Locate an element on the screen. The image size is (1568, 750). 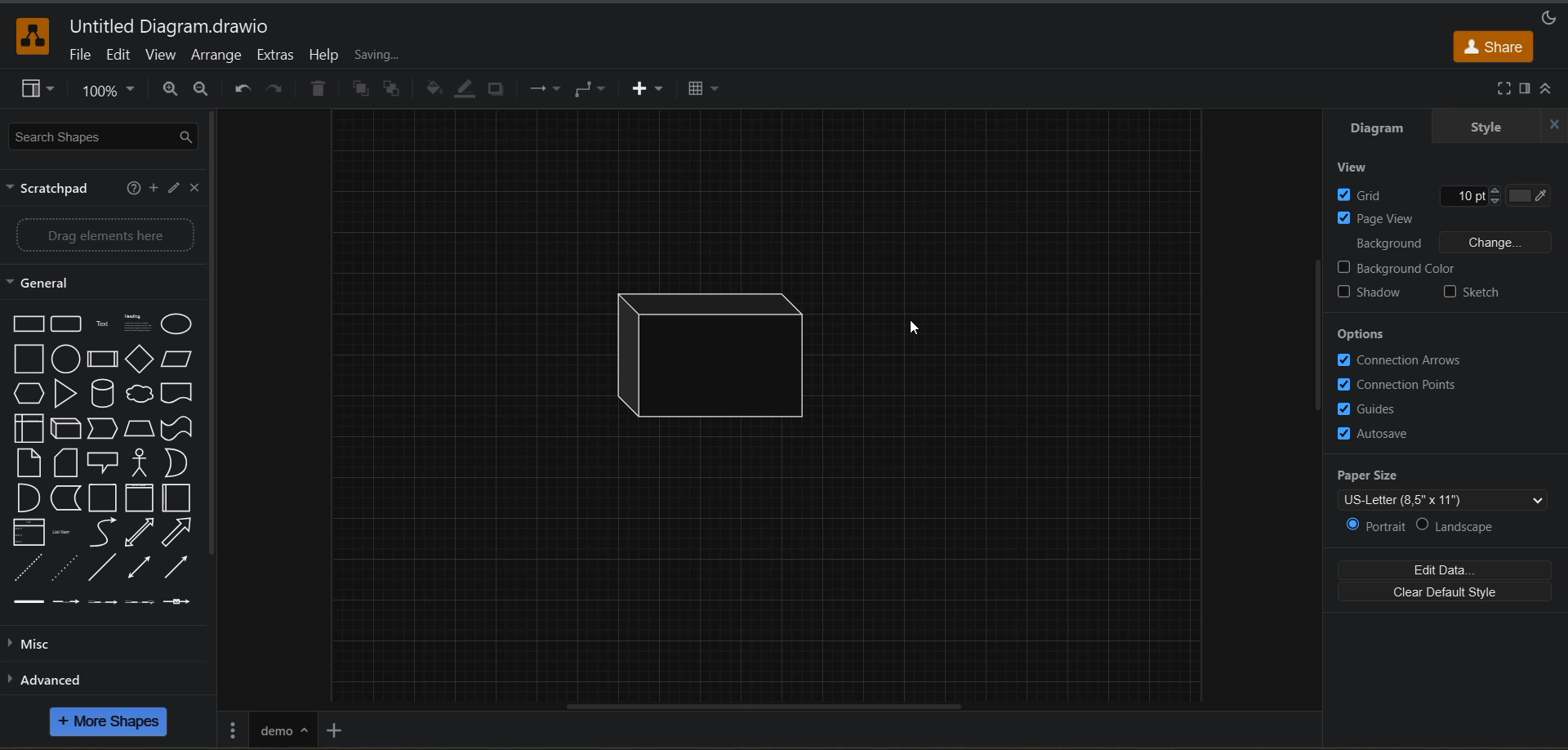
background color is located at coordinates (1452, 267).